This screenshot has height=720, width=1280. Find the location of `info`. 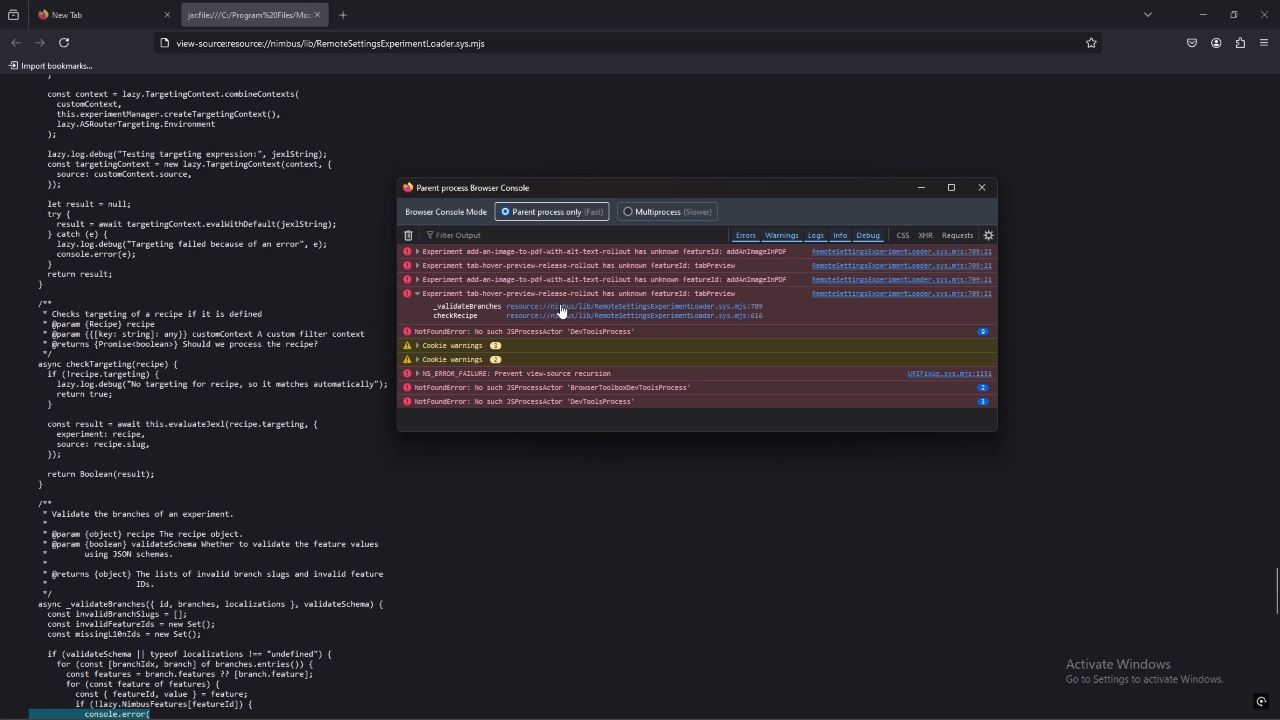

info is located at coordinates (841, 236).